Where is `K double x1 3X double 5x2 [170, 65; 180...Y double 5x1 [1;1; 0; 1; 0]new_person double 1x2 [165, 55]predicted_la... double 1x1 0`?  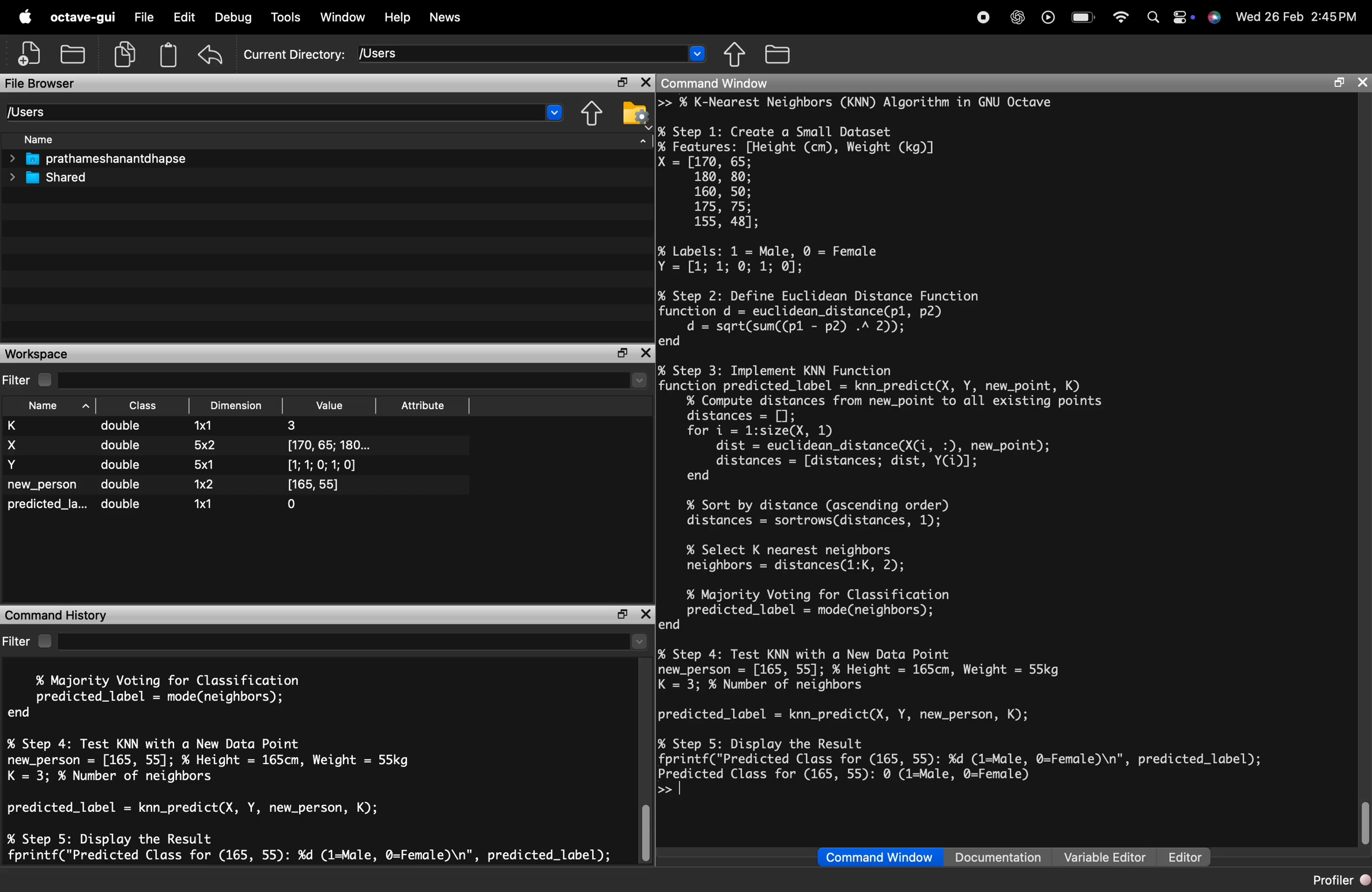
K double x1 3X double 5x2 [170, 65; 180...Y double 5x1 [1;1; 0; 1; 0]new_person double 1x2 [165, 55]predicted_la... double 1x1 0 is located at coordinates (213, 473).